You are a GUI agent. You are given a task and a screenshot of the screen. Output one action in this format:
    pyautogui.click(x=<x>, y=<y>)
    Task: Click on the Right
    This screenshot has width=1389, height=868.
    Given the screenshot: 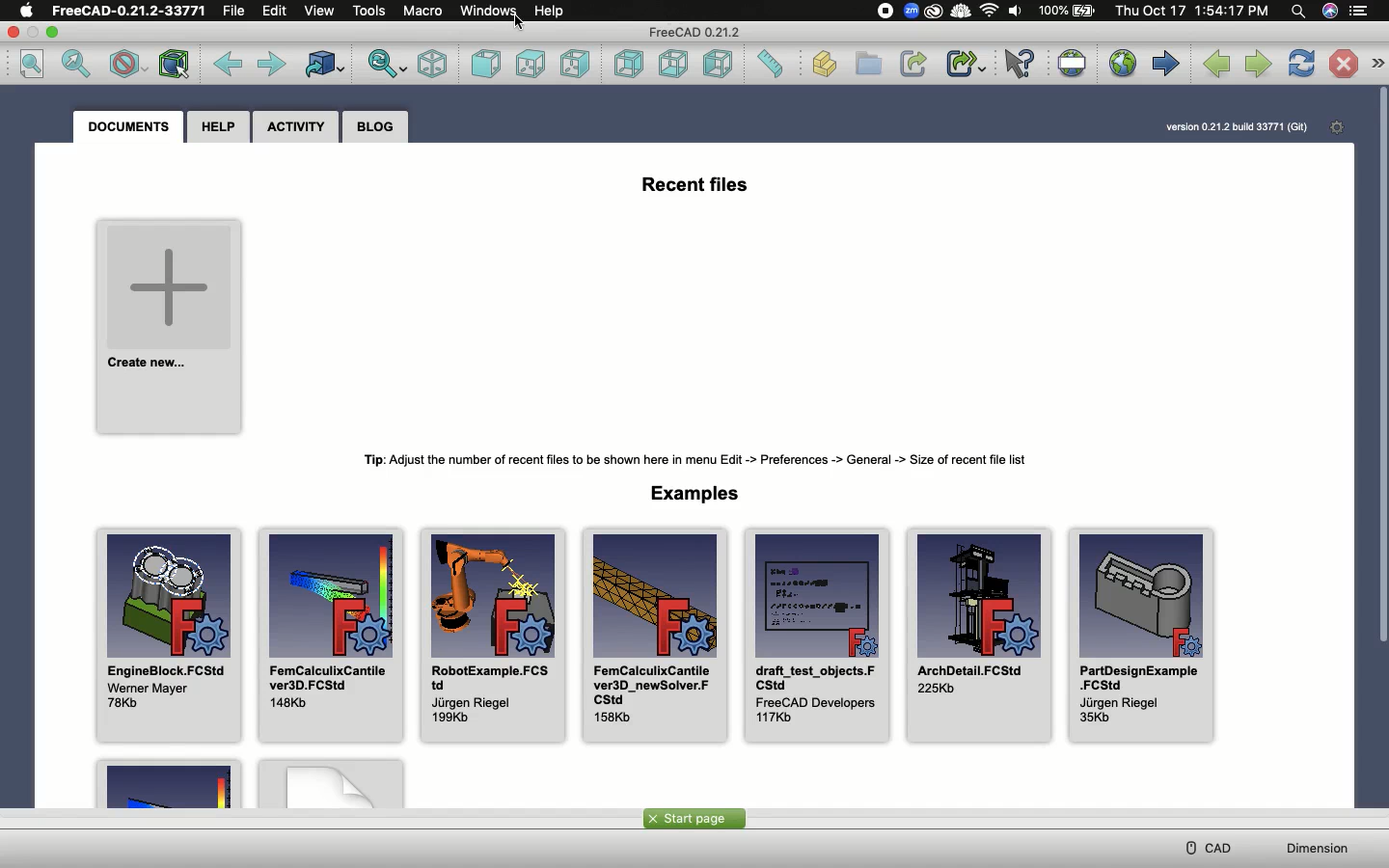 What is the action you would take?
    pyautogui.click(x=576, y=64)
    